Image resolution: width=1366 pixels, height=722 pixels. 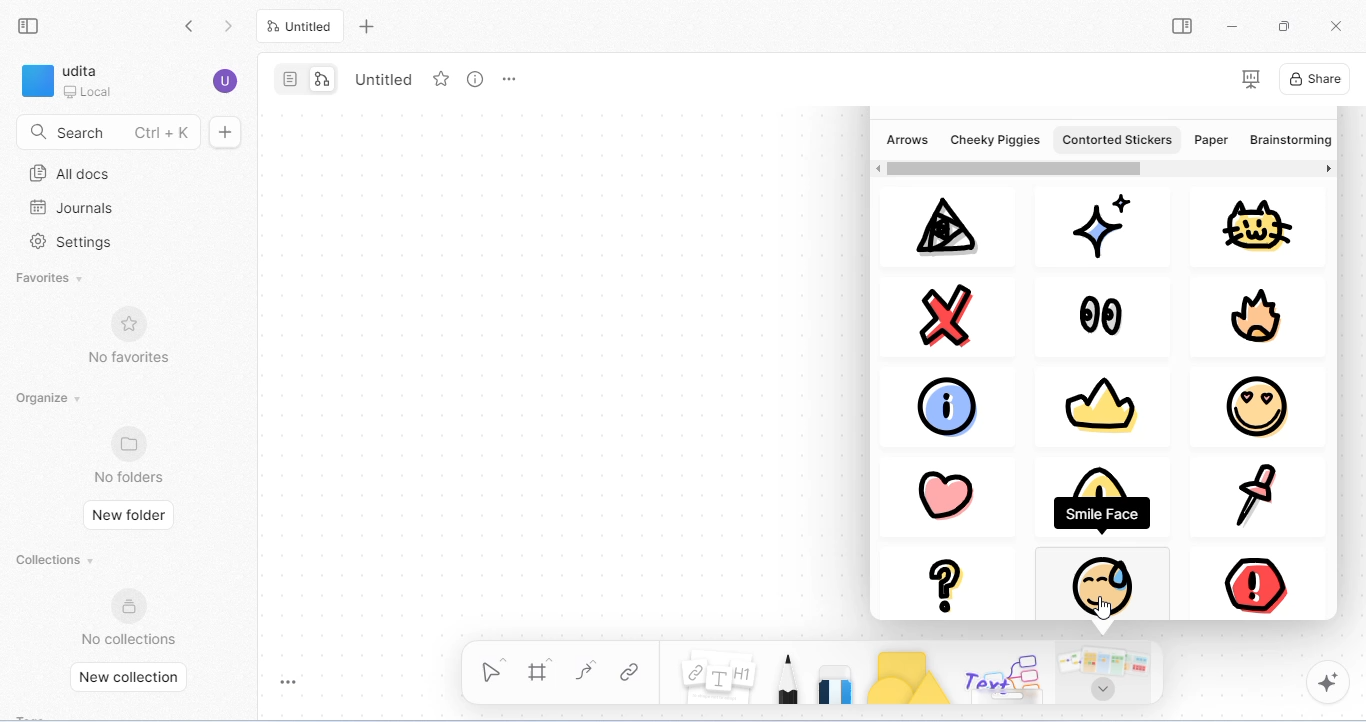 I want to click on favorites, so click(x=51, y=280).